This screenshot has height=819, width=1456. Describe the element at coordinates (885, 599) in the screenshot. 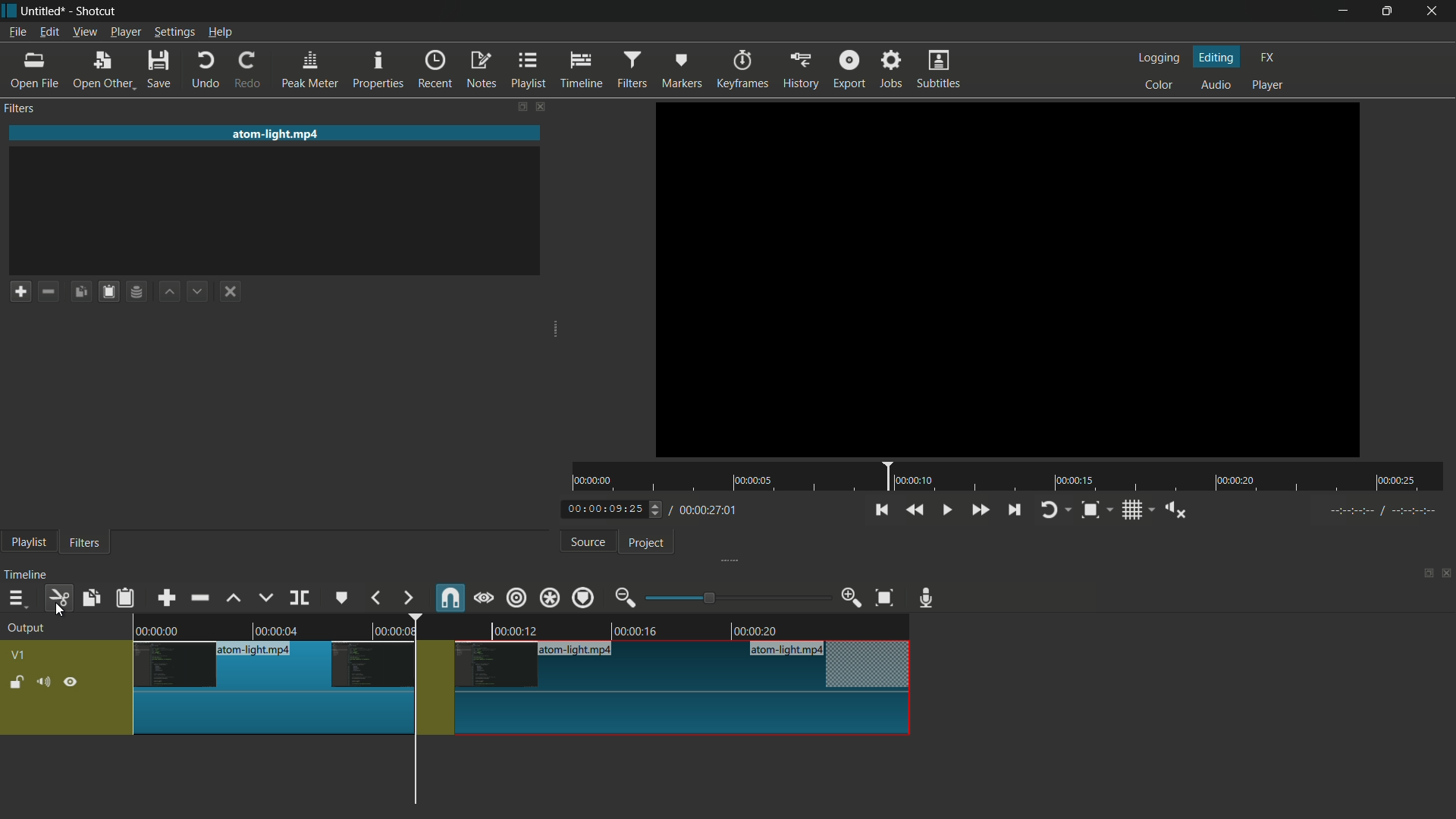

I see `zoom timeline to fit` at that location.